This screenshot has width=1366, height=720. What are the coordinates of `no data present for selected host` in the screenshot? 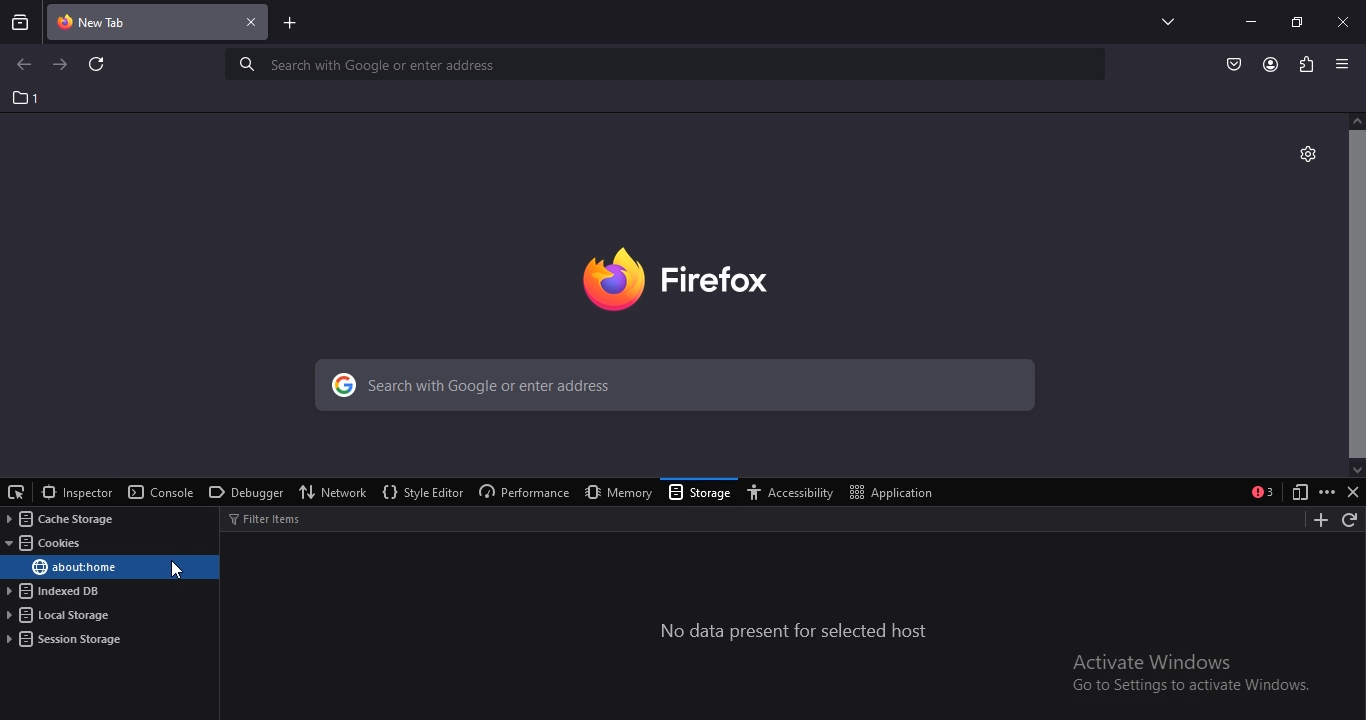 It's located at (795, 632).